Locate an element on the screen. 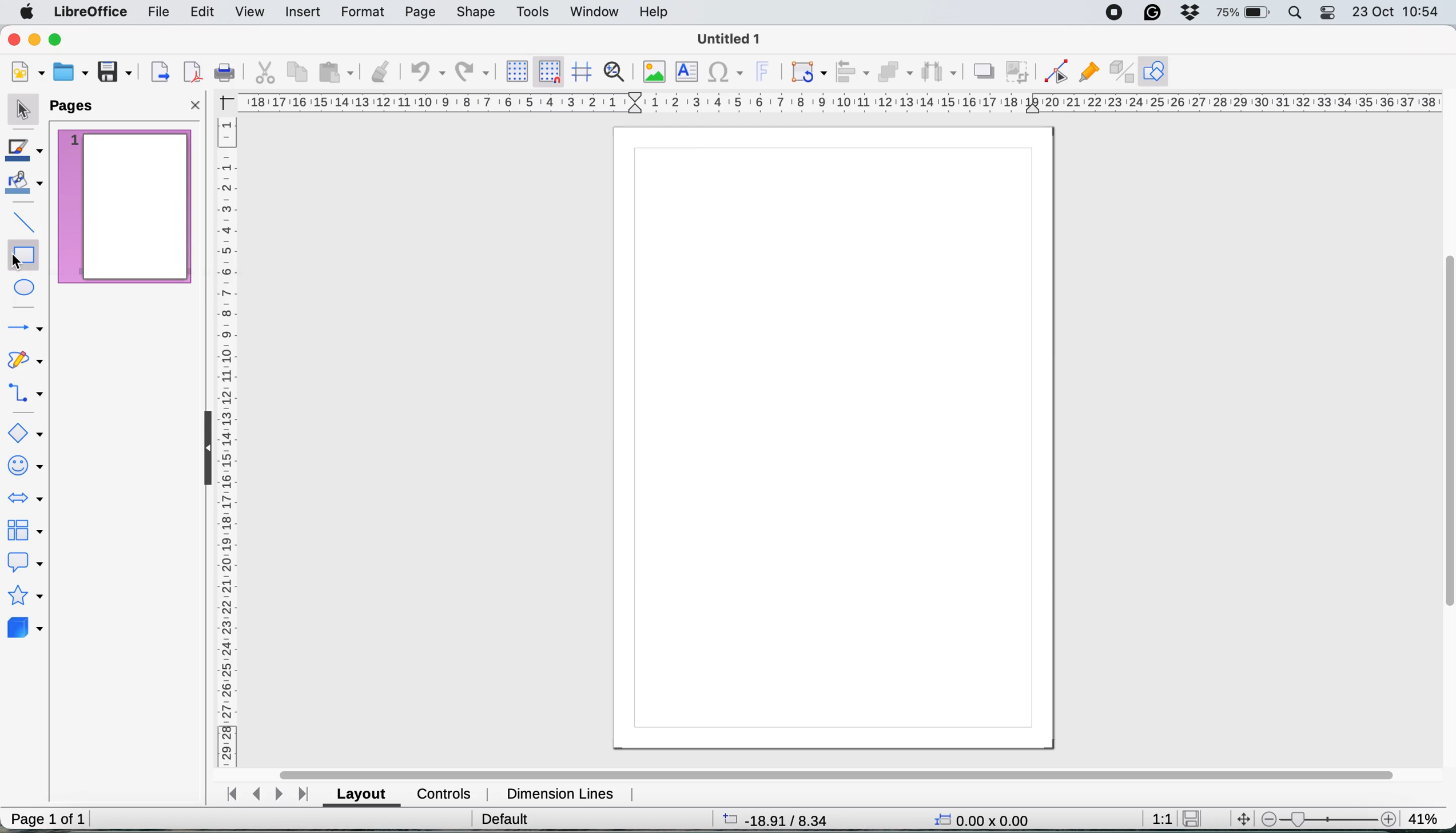  copy is located at coordinates (301, 72).